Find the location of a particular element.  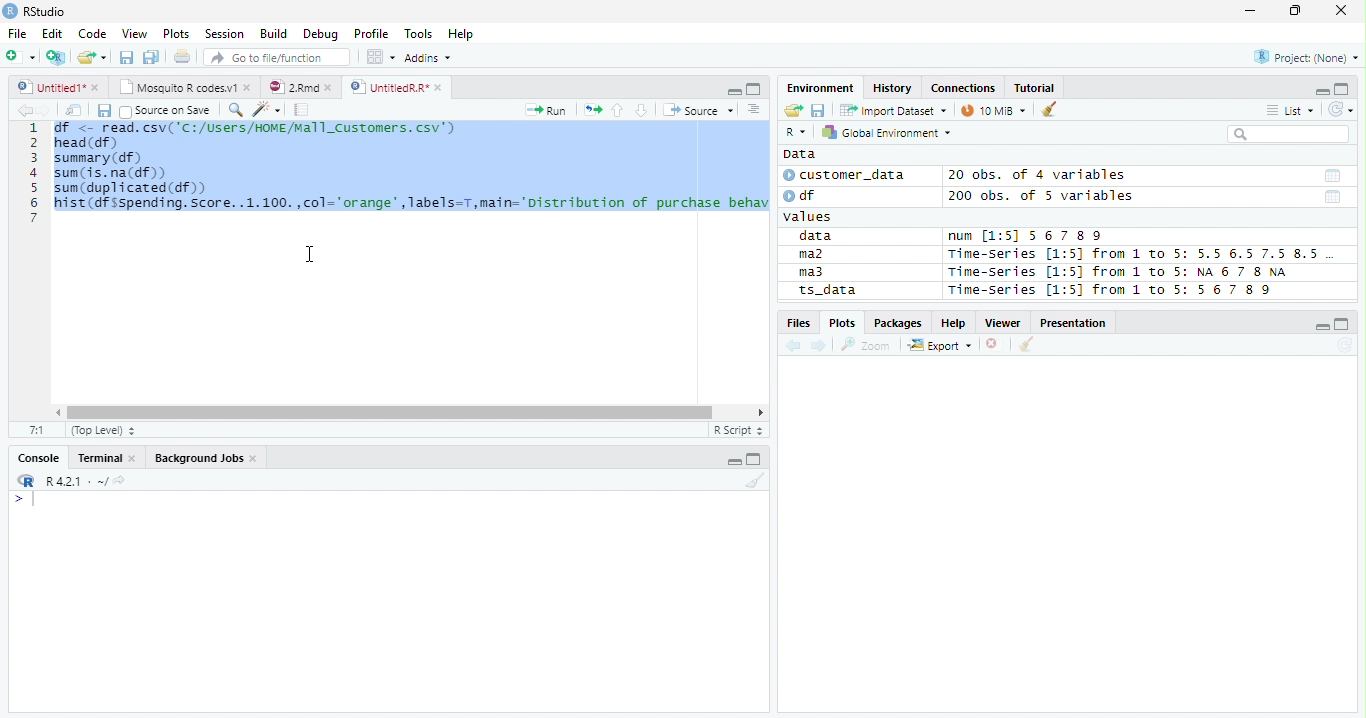

R script is located at coordinates (737, 430).